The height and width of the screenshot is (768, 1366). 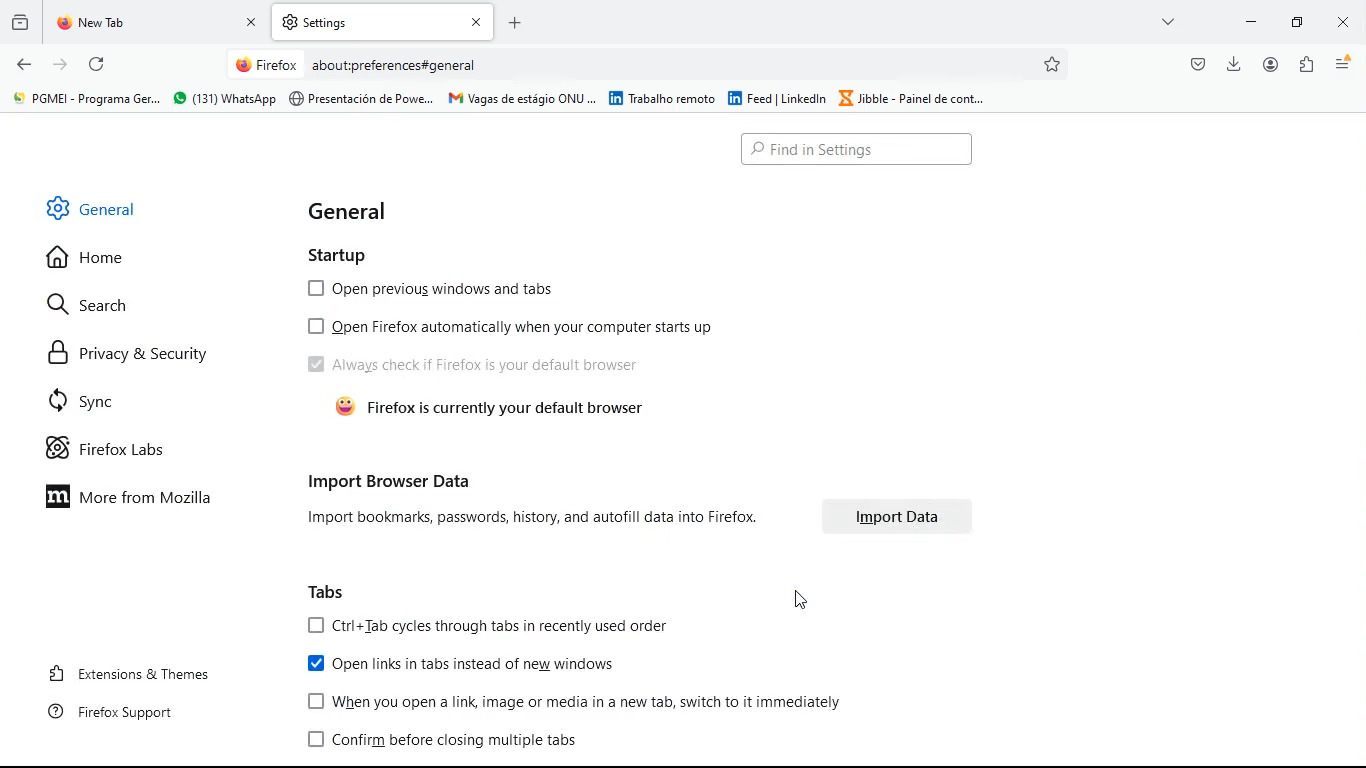 What do you see at coordinates (93, 307) in the screenshot?
I see `search` at bounding box center [93, 307].